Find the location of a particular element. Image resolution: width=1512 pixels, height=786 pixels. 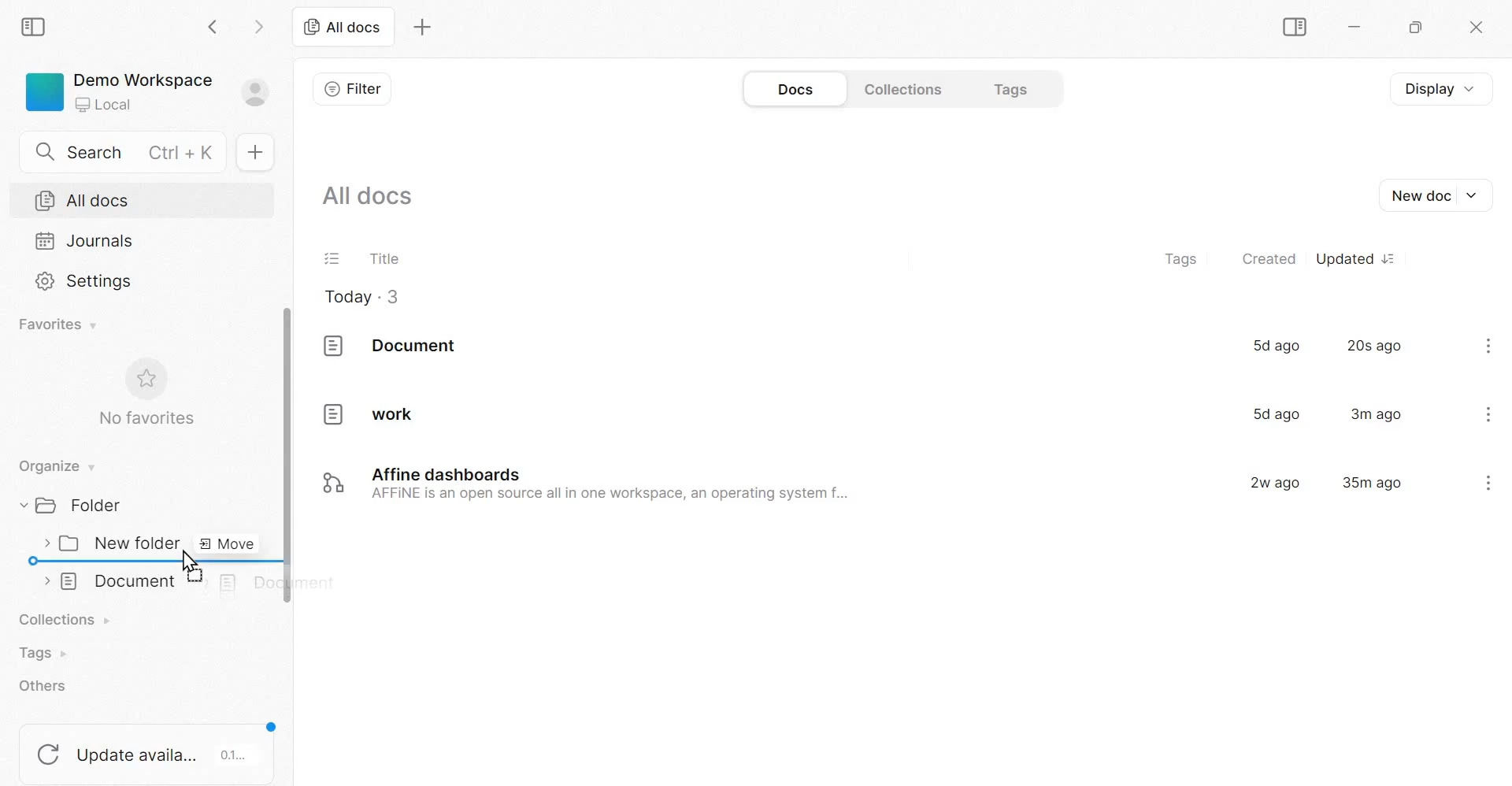

Affine dashboards is located at coordinates (606, 484).